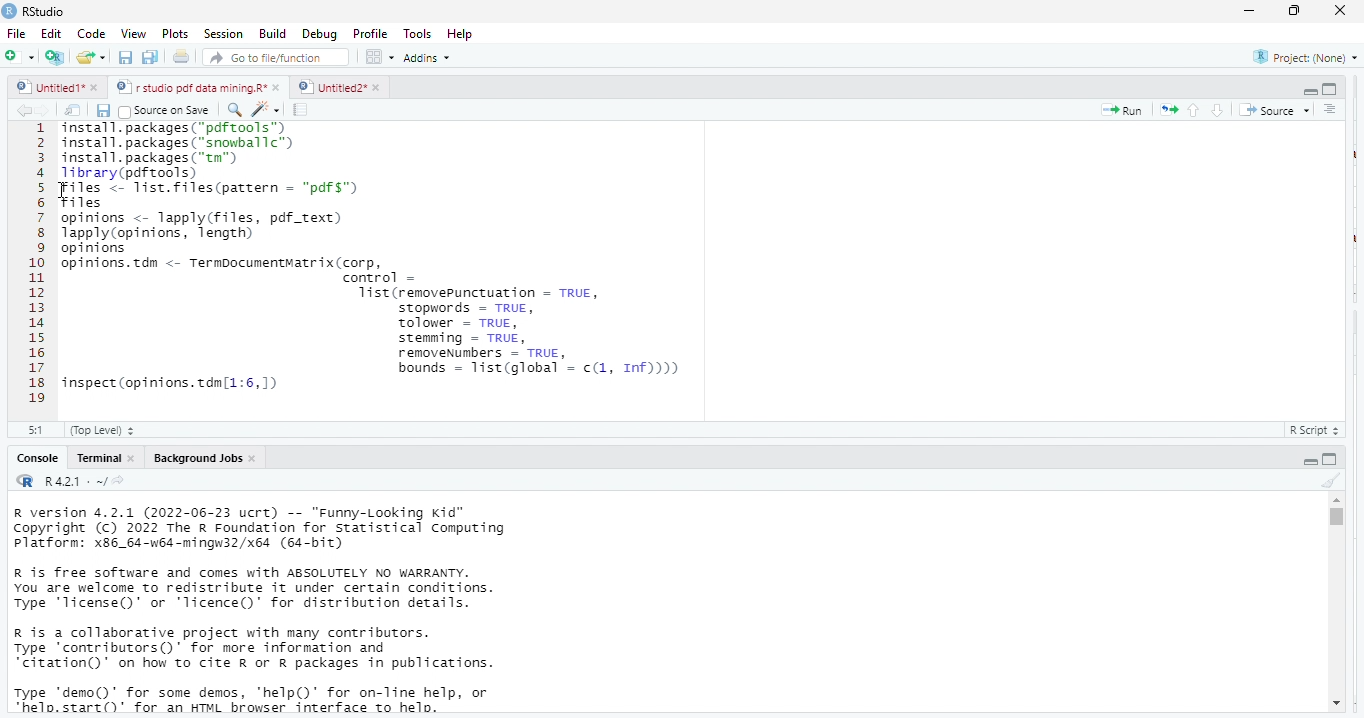 Image resolution: width=1364 pixels, height=718 pixels. I want to click on print the current file, so click(182, 58).